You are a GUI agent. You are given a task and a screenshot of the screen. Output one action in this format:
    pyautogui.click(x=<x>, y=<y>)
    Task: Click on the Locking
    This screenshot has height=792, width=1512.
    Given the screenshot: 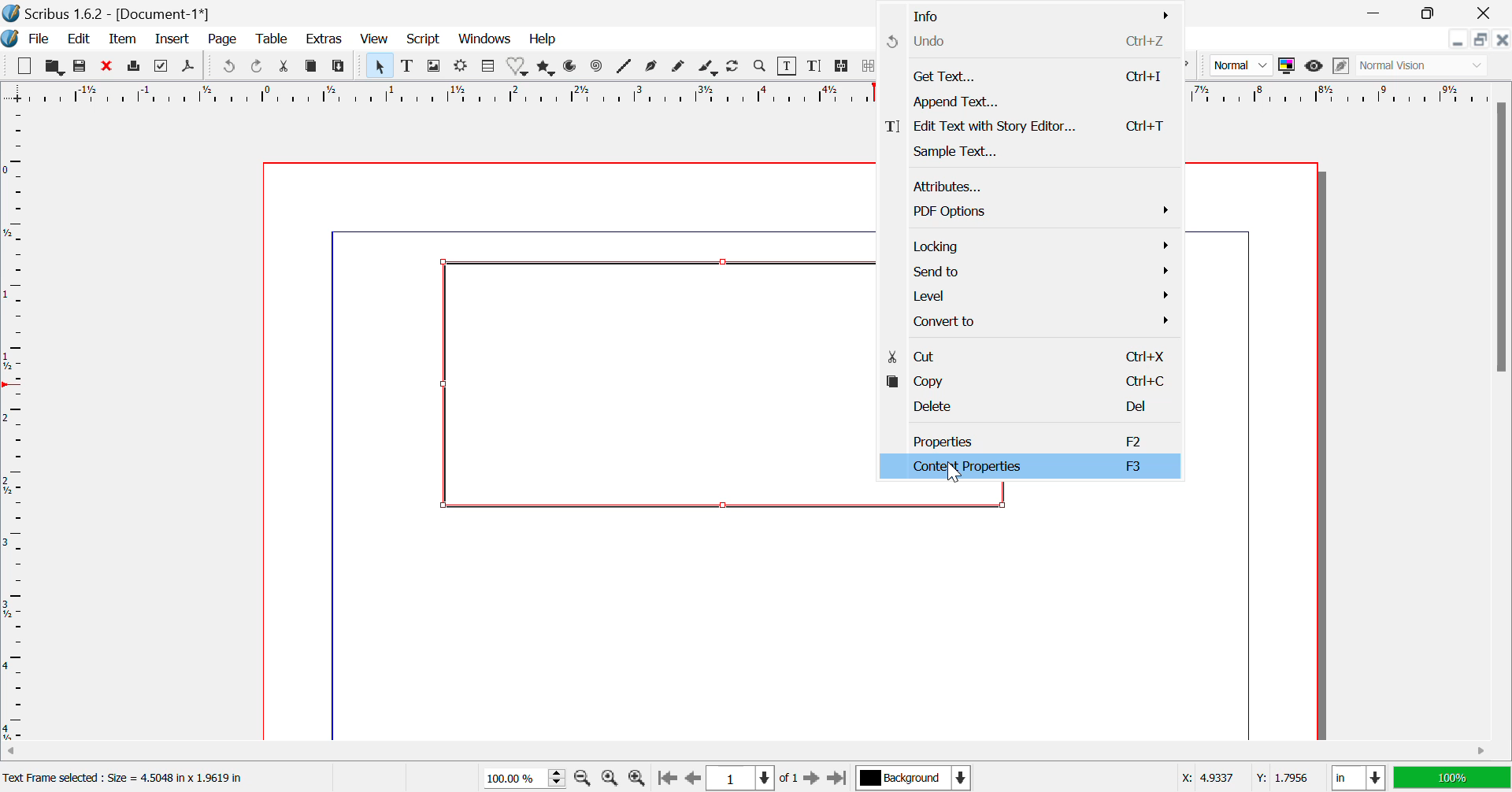 What is the action you would take?
    pyautogui.click(x=1025, y=246)
    